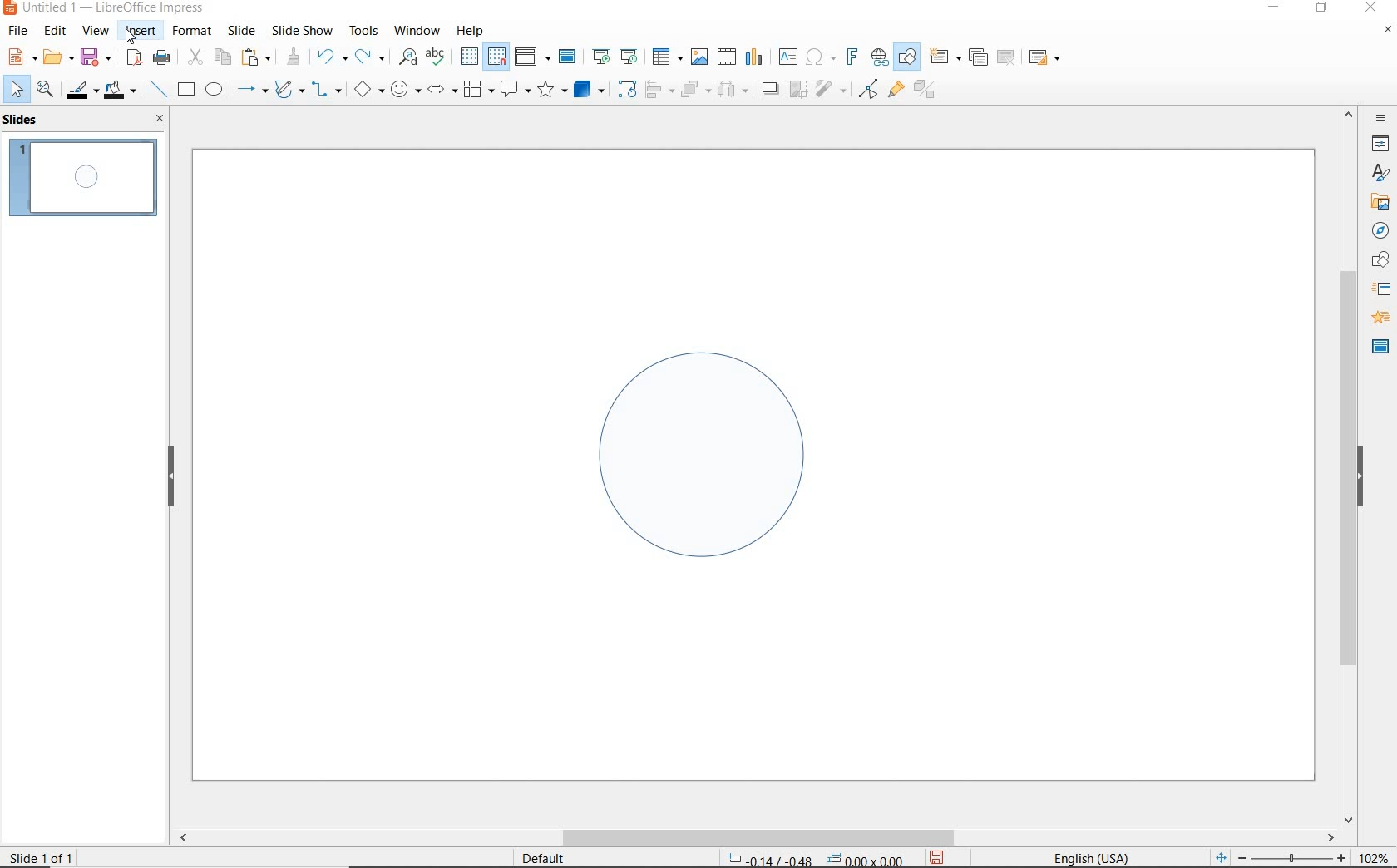  Describe the element at coordinates (155, 118) in the screenshot. I see `close` at that location.